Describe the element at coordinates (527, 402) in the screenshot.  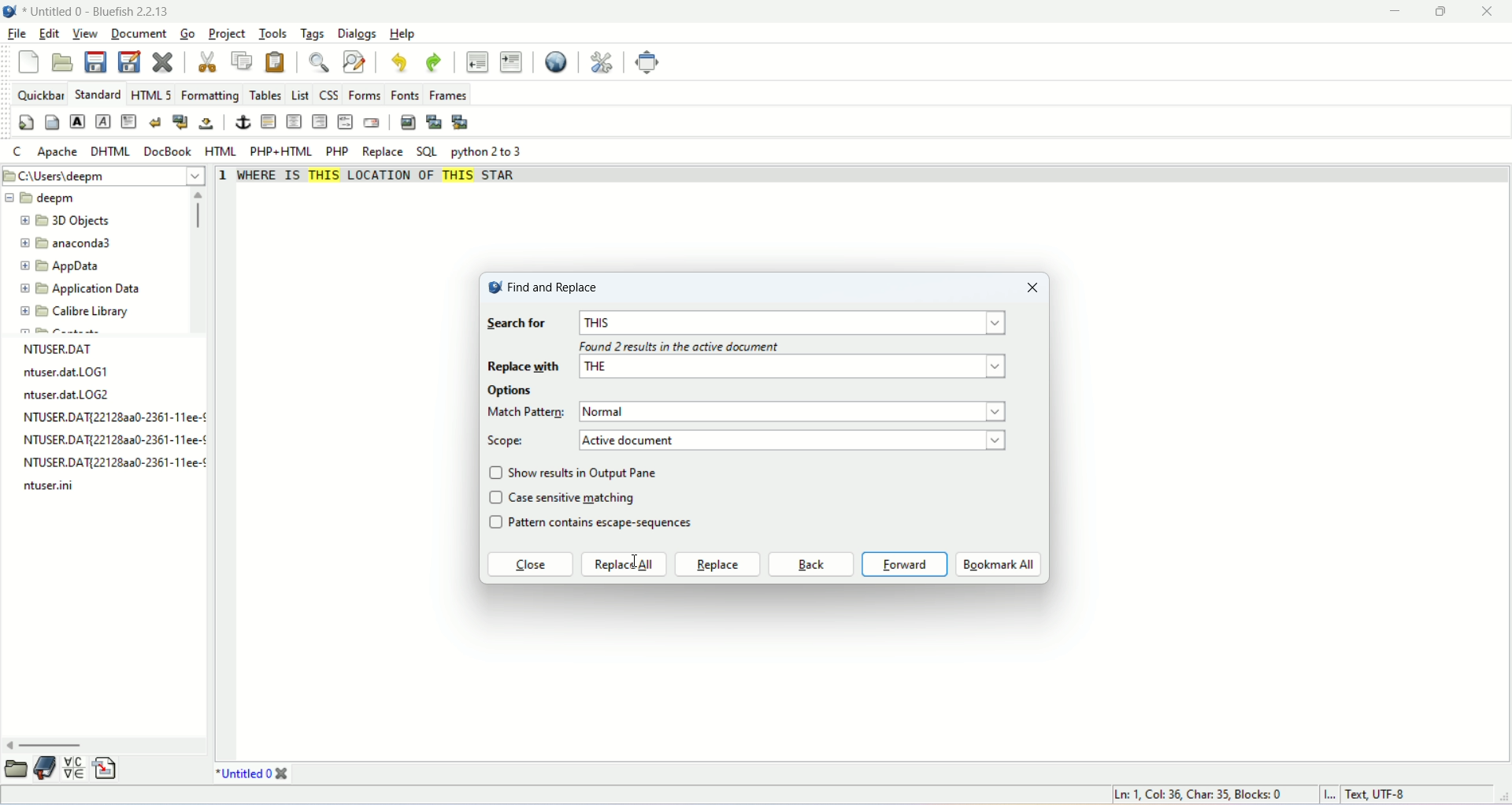
I see `options Match pattern` at that location.